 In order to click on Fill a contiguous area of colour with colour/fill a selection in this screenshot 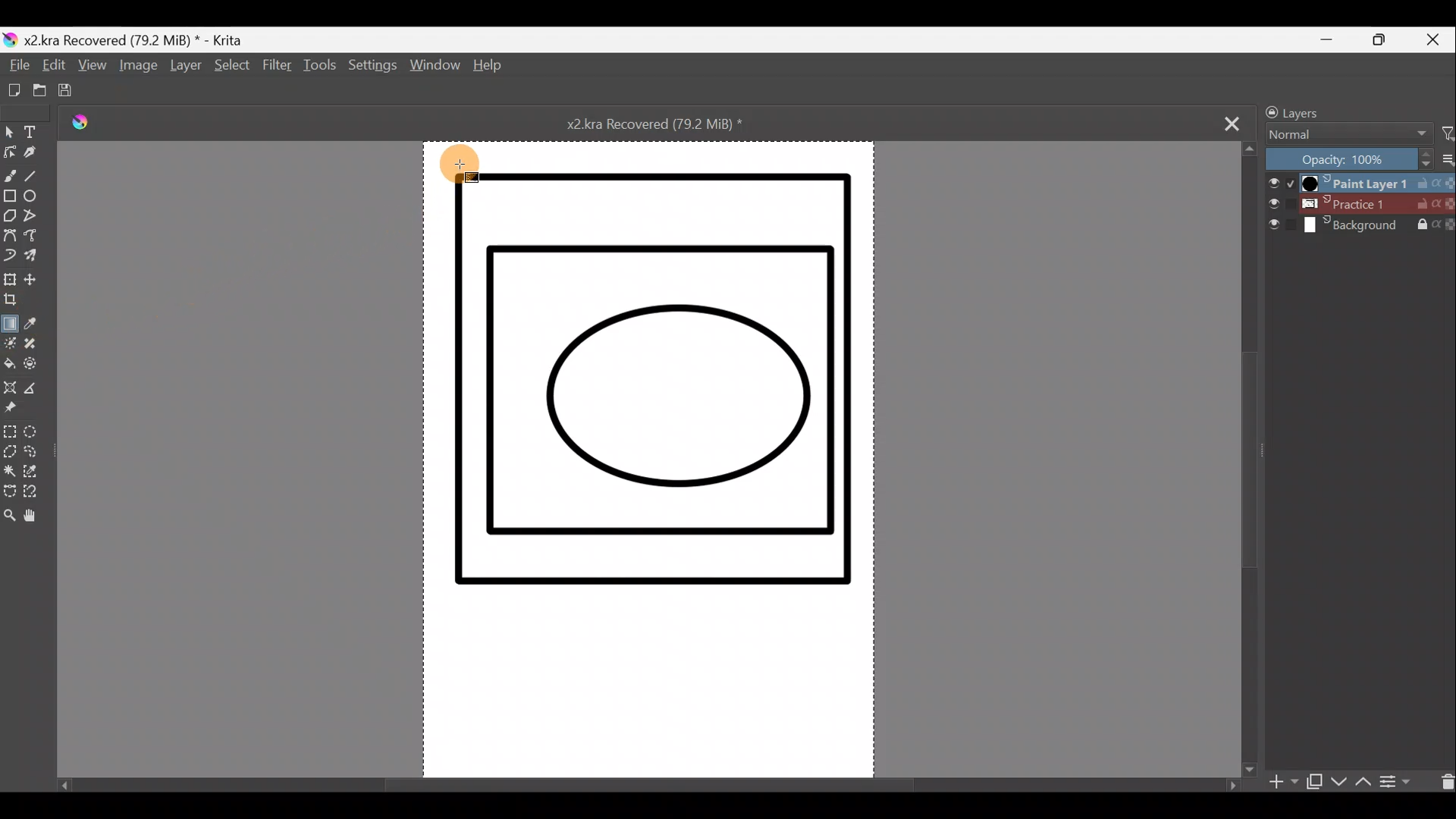, I will do `click(9, 366)`.